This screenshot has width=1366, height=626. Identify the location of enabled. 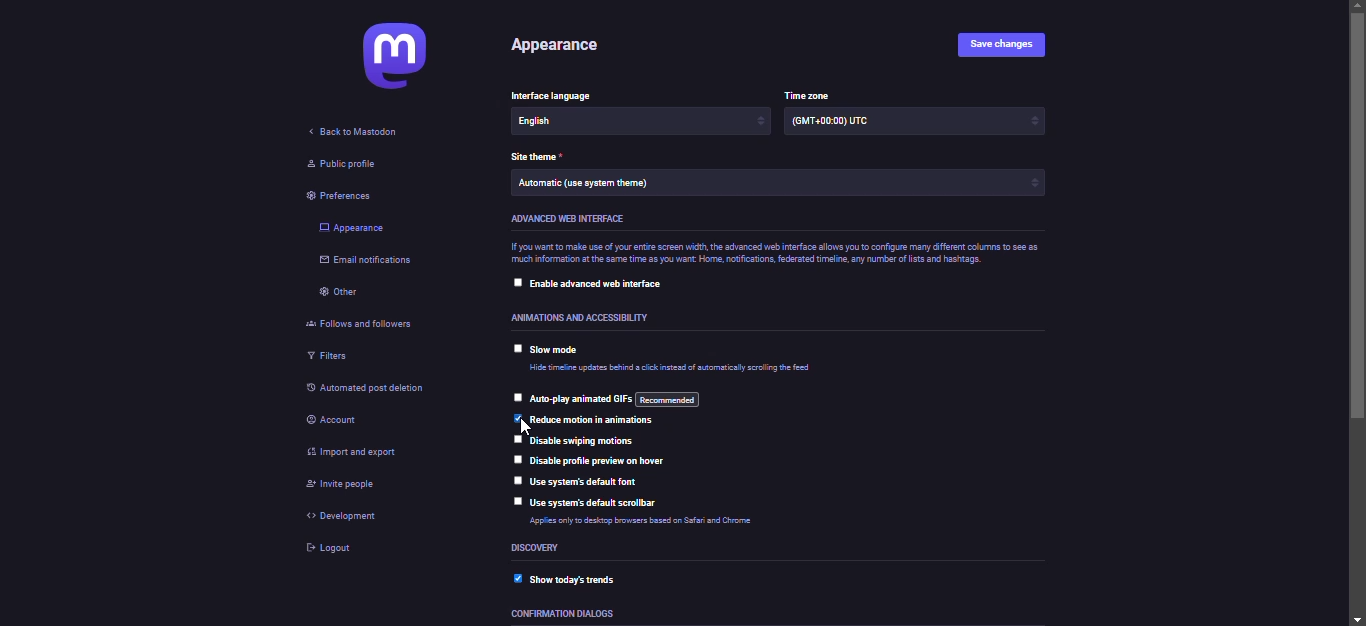
(517, 417).